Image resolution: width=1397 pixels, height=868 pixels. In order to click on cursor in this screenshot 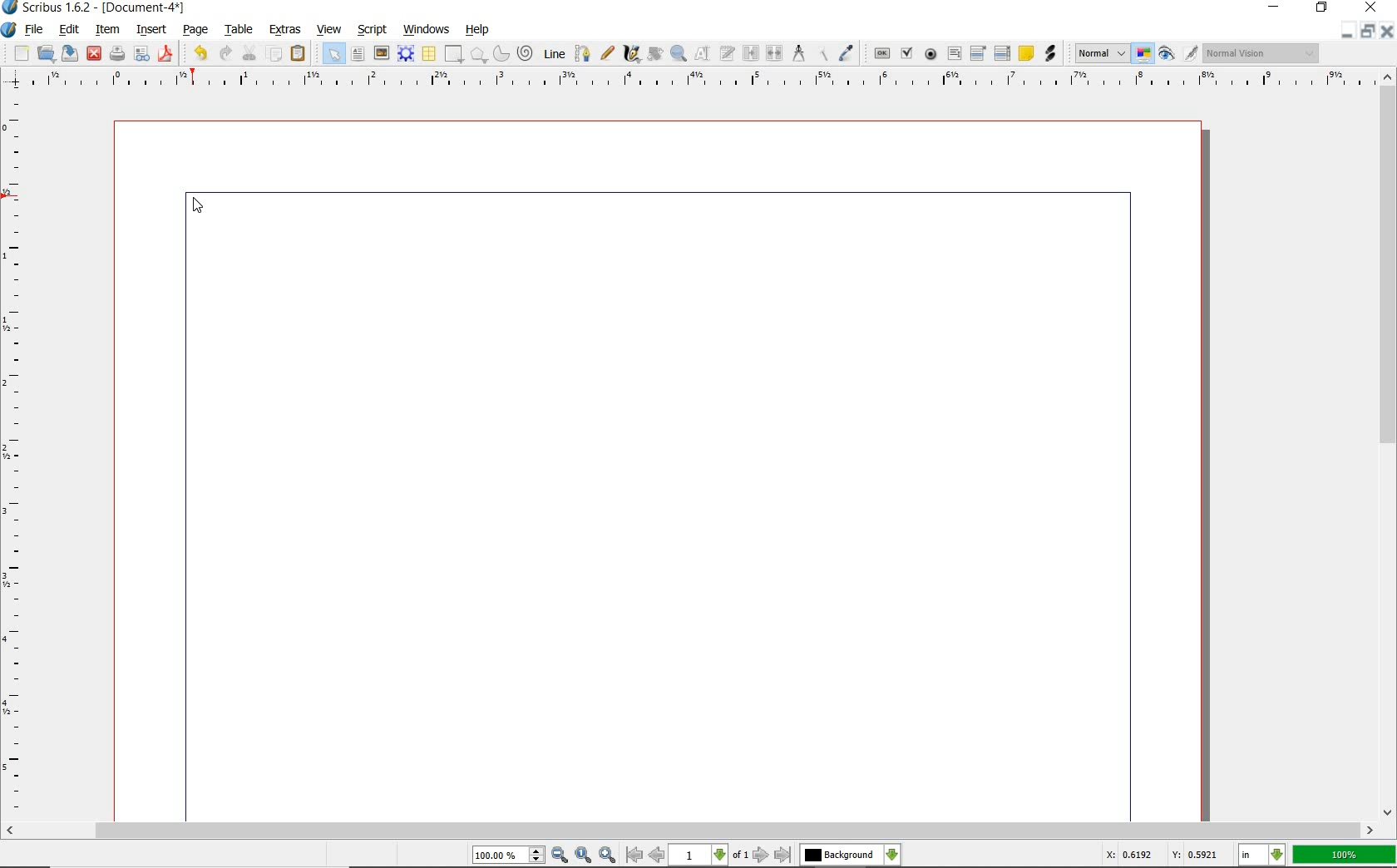, I will do `click(195, 208)`.